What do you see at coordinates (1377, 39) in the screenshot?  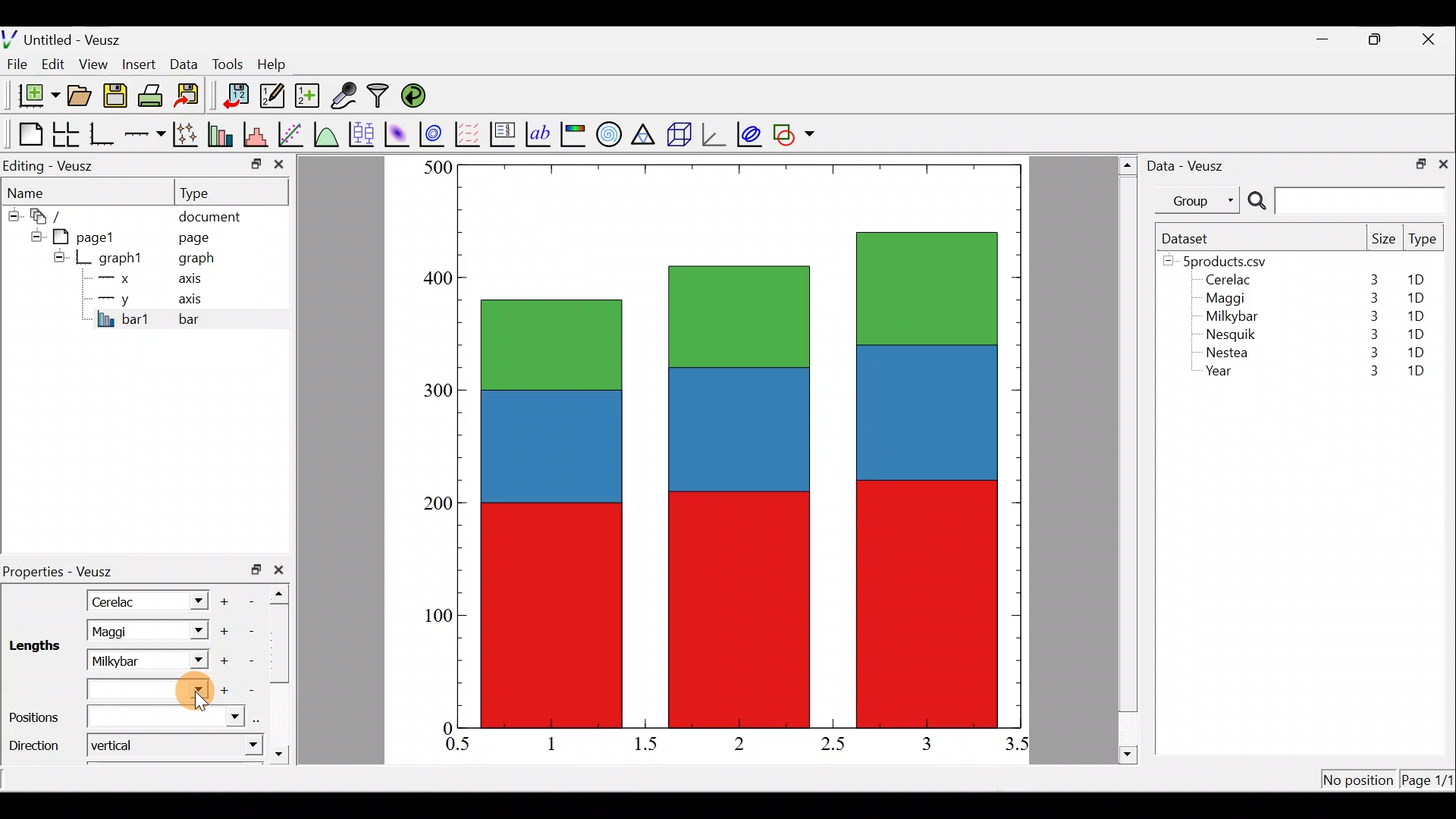 I see `restore down` at bounding box center [1377, 39].